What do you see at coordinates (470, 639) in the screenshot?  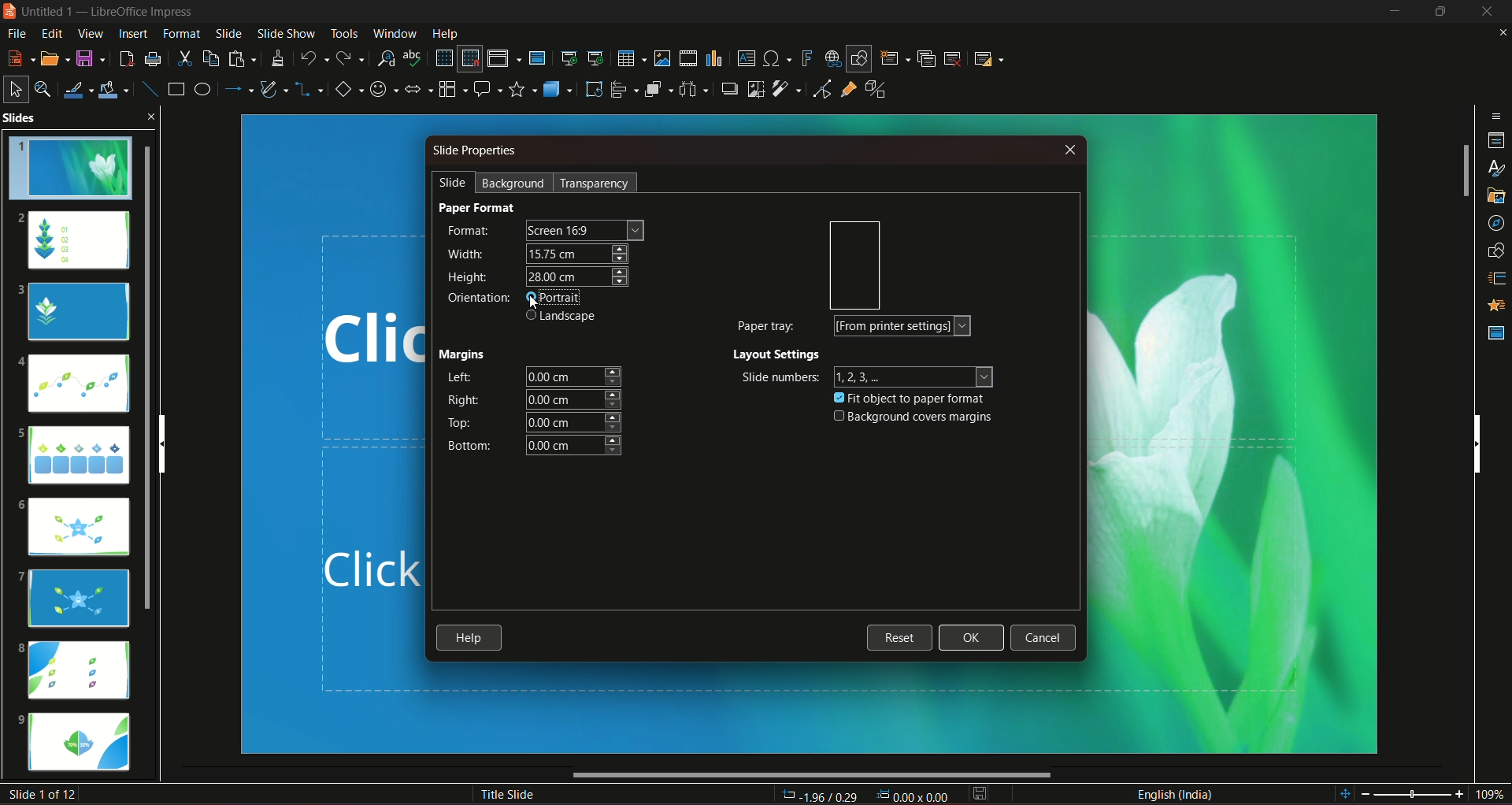 I see `help` at bounding box center [470, 639].